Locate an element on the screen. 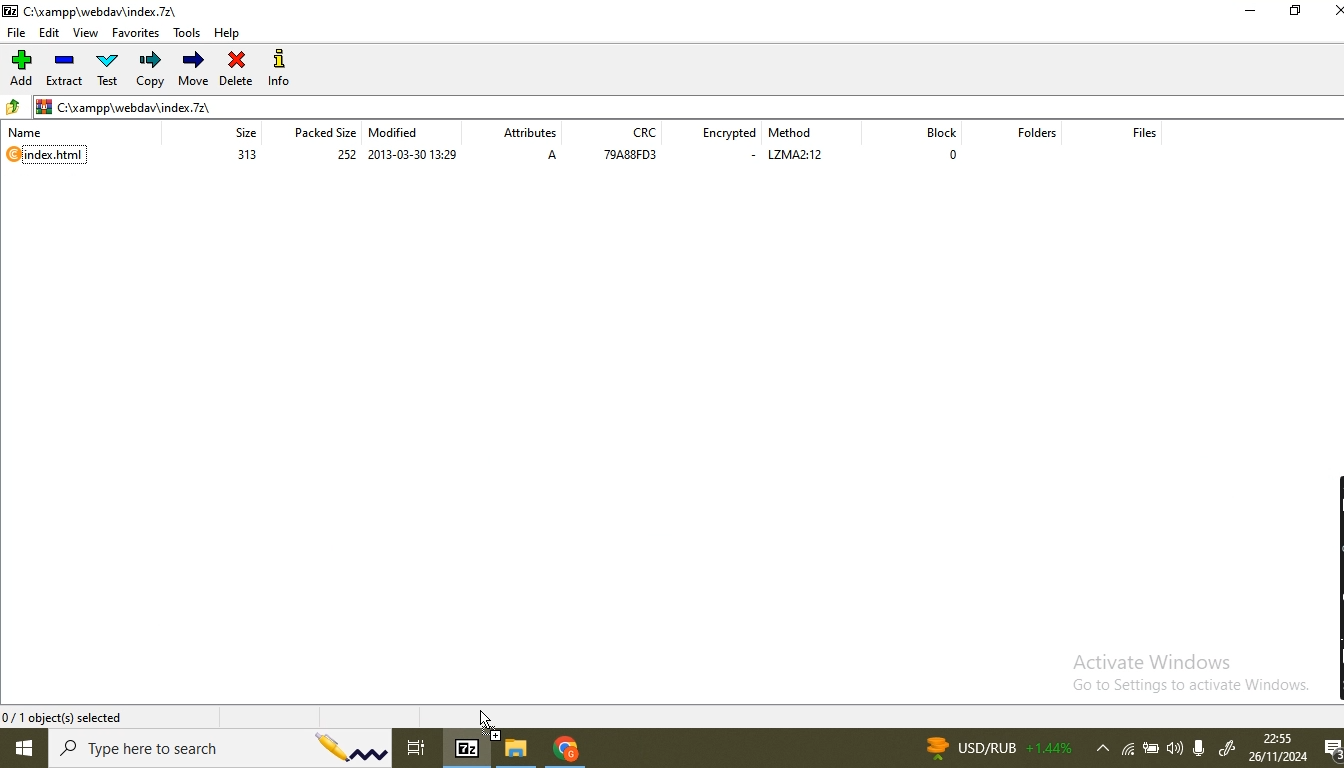 The width and height of the screenshot is (1344, 768). attributes is located at coordinates (536, 130).